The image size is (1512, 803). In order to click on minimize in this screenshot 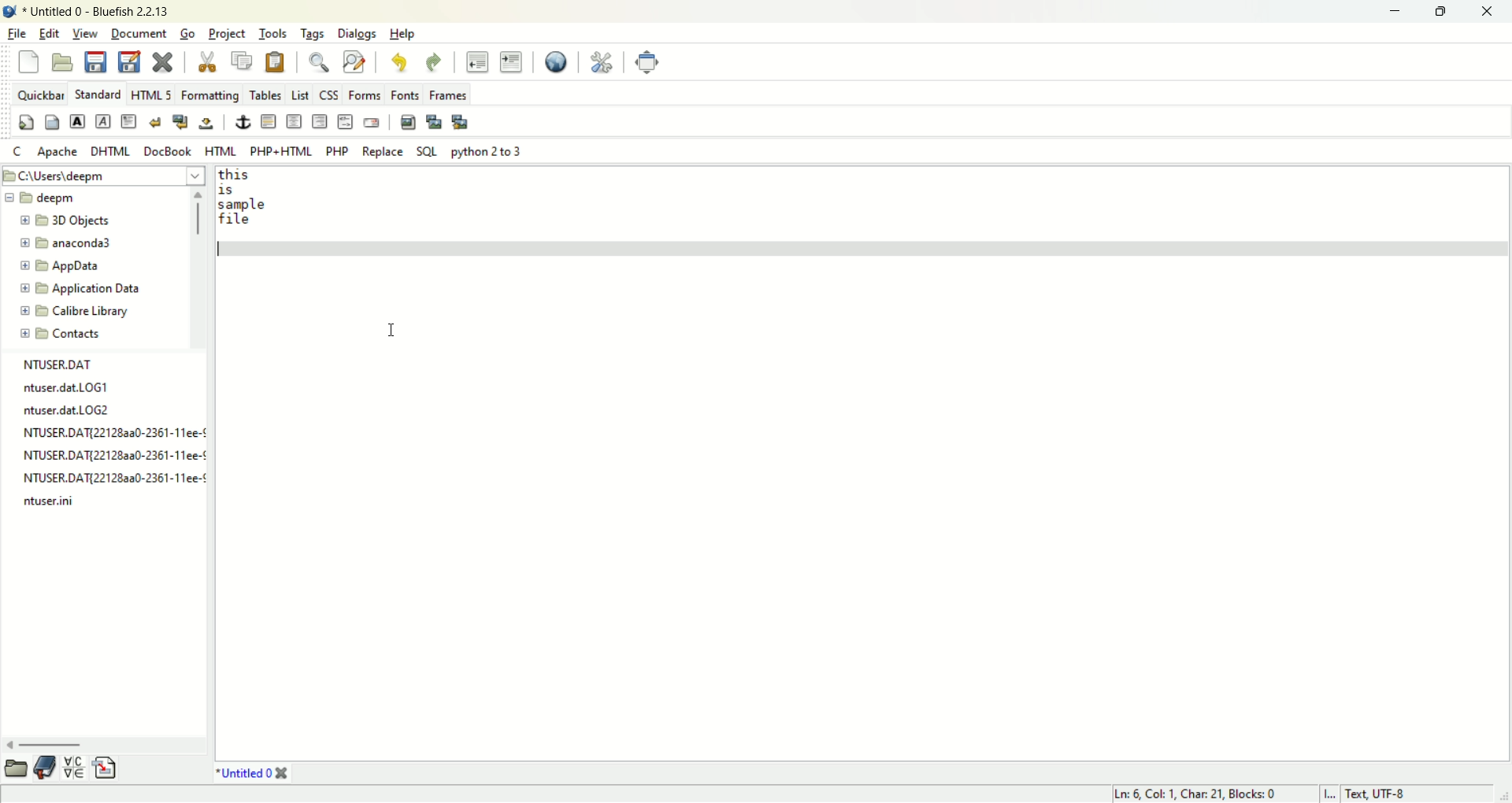, I will do `click(1395, 13)`.